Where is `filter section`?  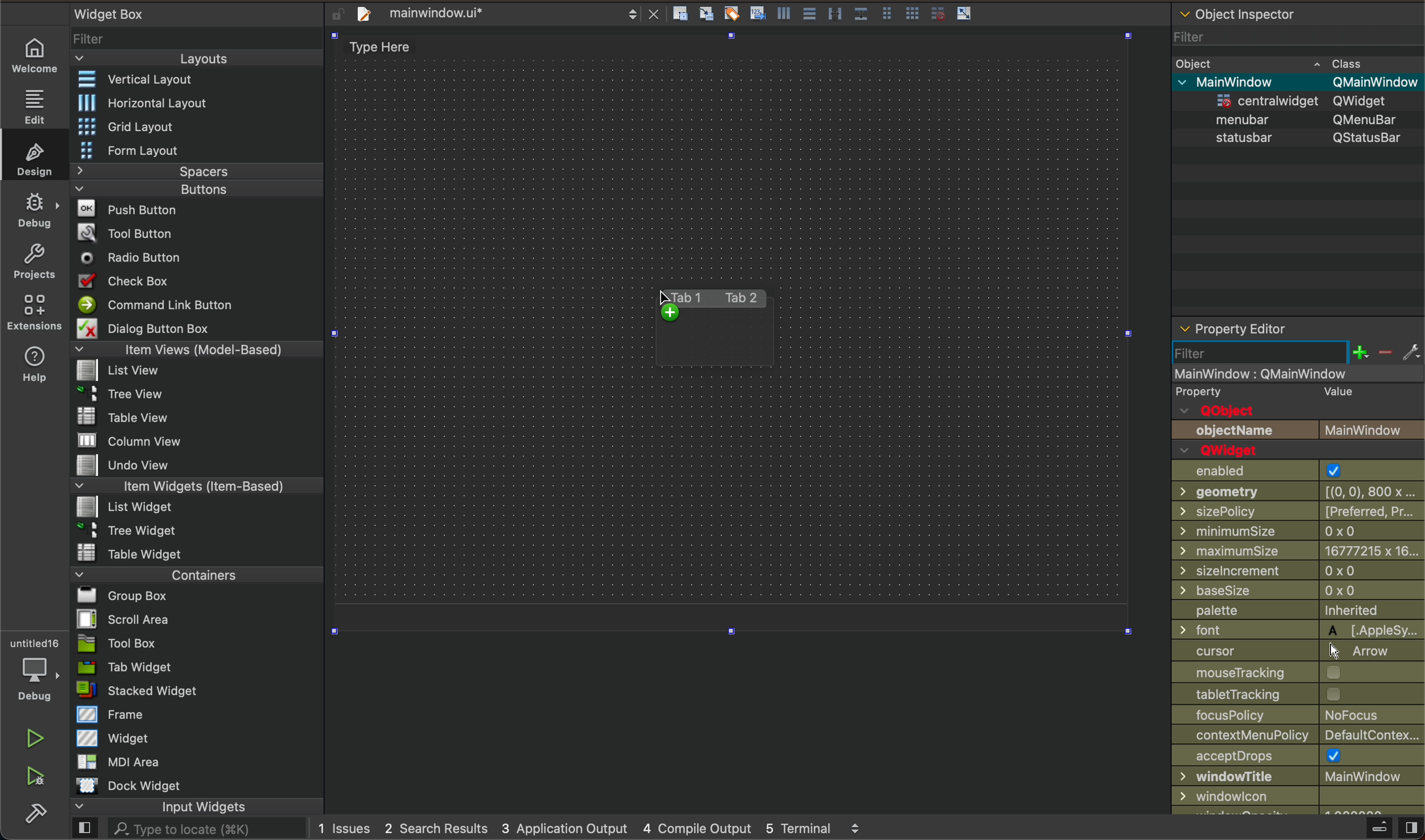 filter section is located at coordinates (1299, 352).